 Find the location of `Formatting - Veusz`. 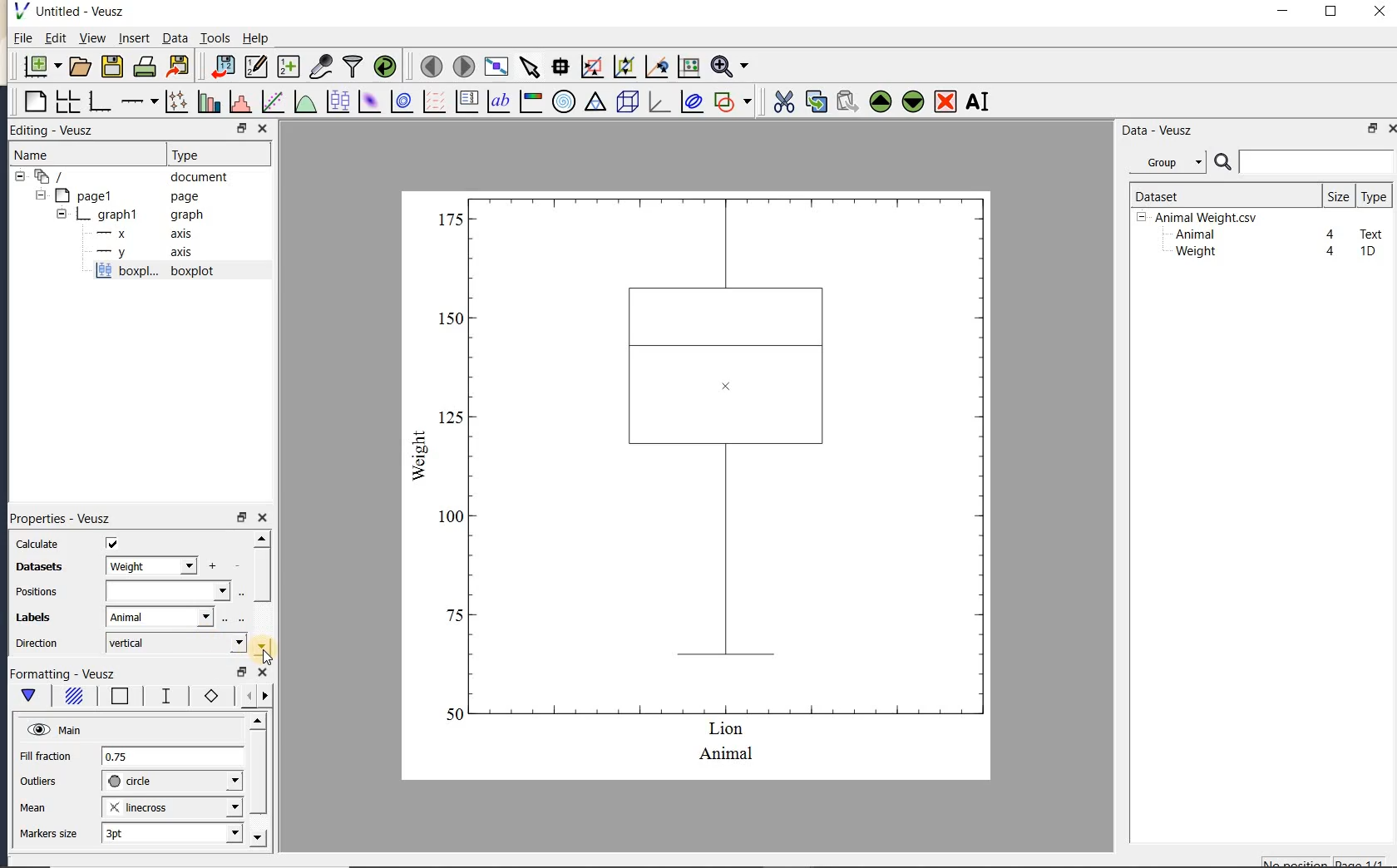

Formatting - Veusz is located at coordinates (67, 674).